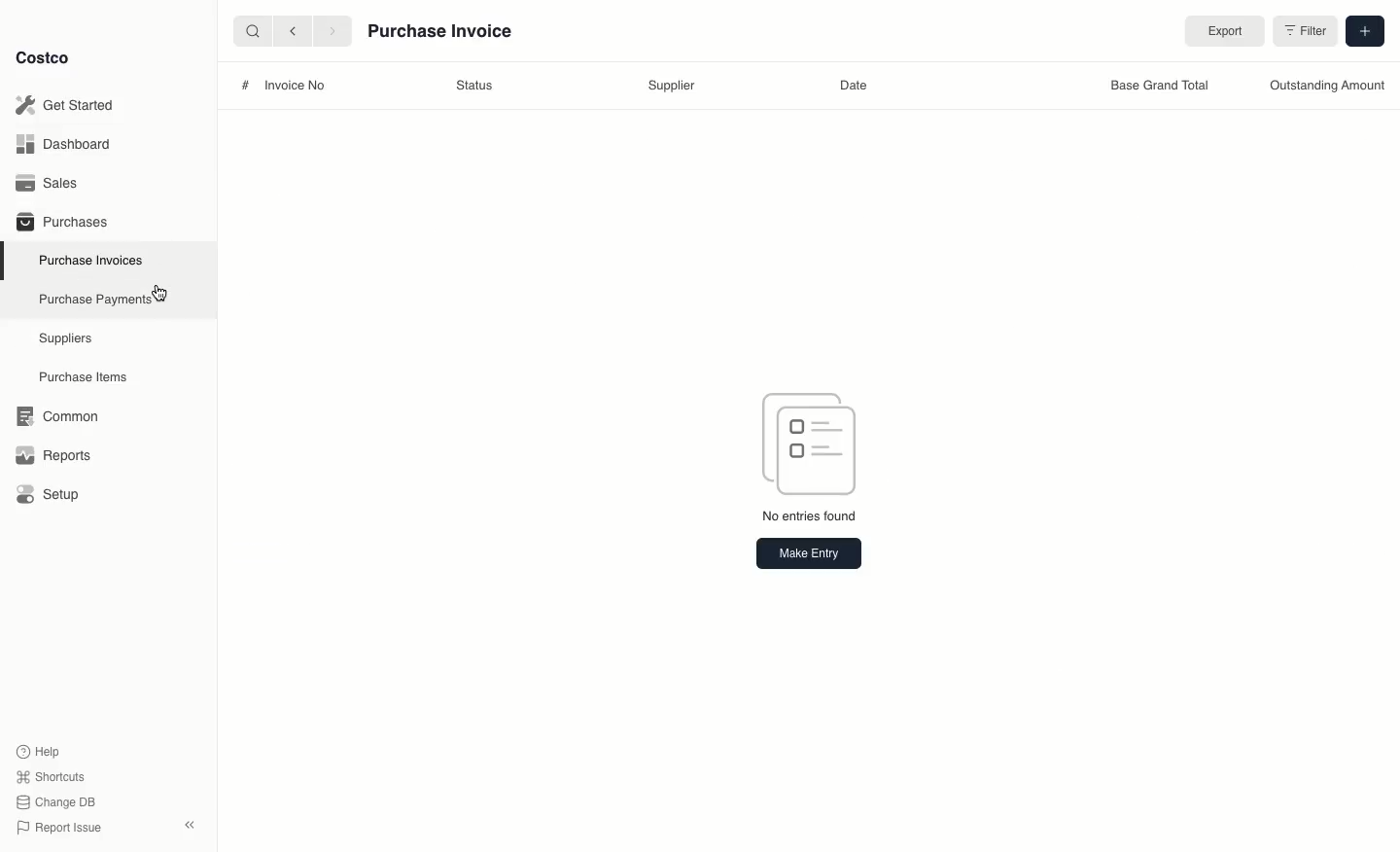 This screenshot has width=1400, height=852. I want to click on ‘Common, so click(61, 413).